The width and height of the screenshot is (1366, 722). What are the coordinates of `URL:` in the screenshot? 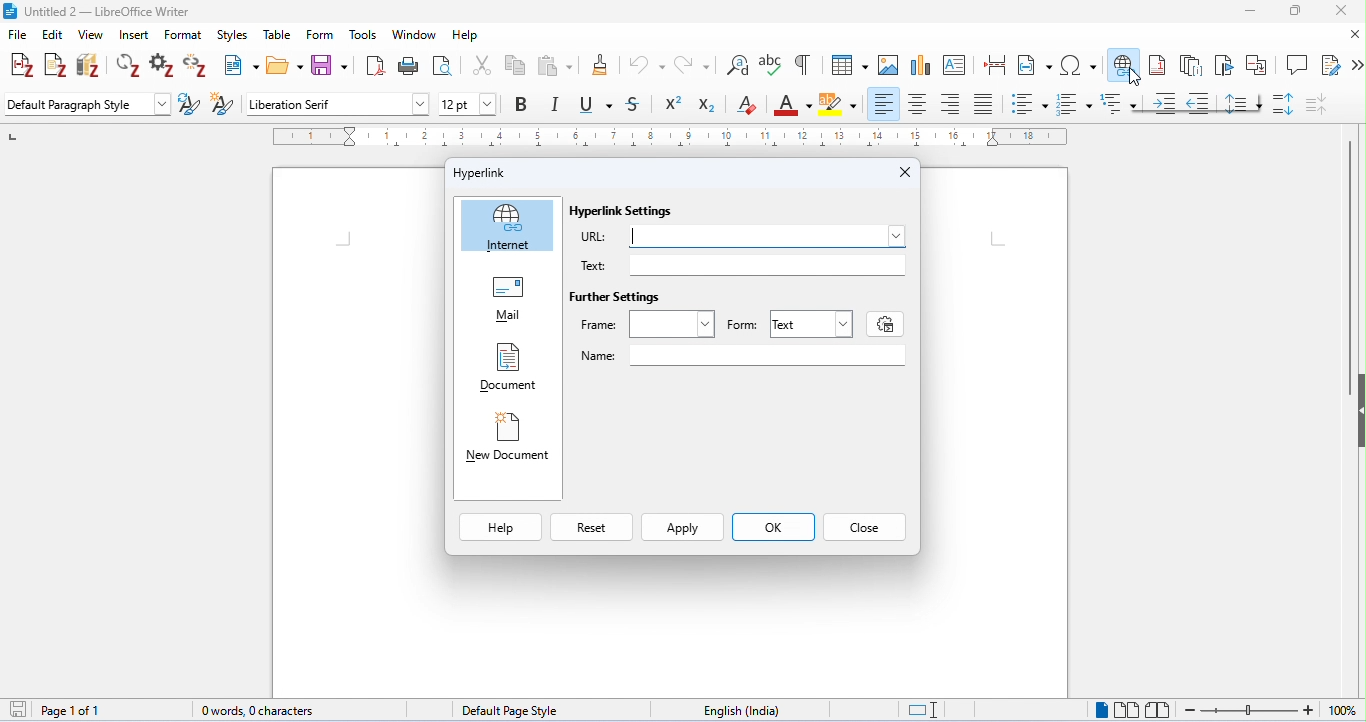 It's located at (596, 233).